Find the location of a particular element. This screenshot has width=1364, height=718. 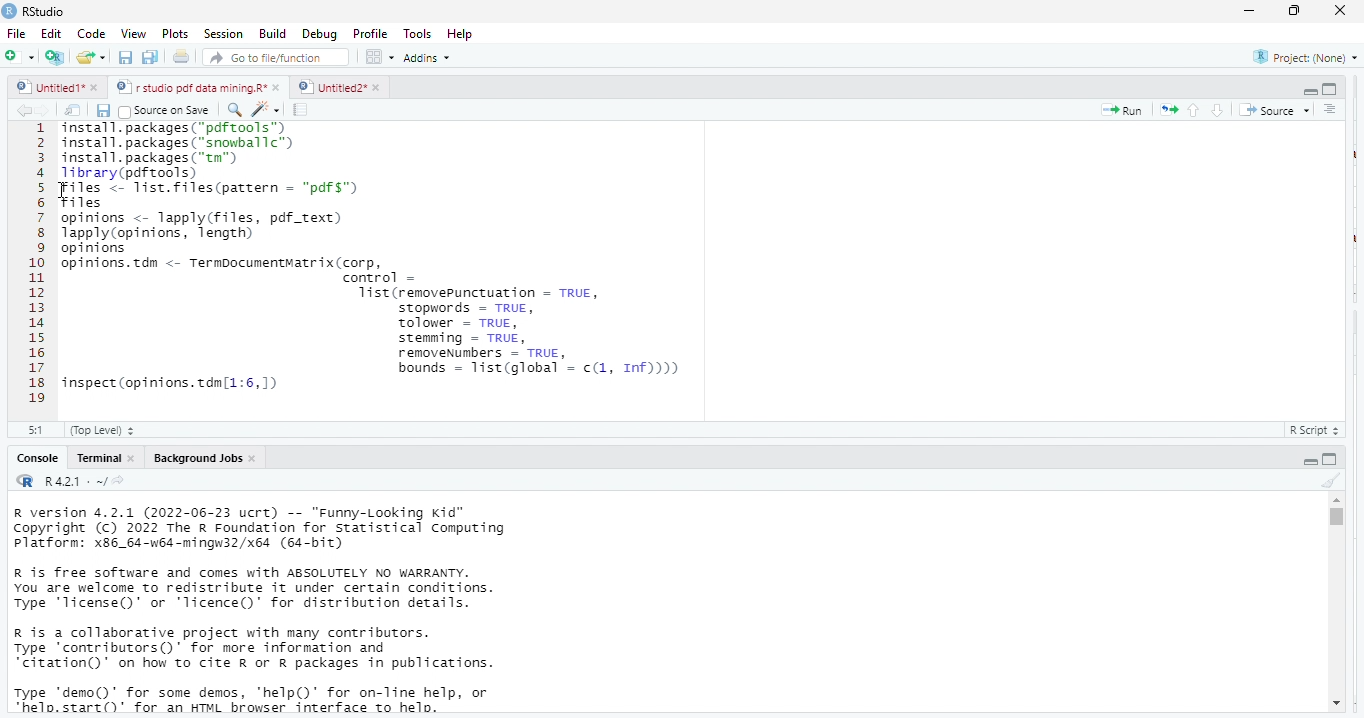

code tools is located at coordinates (265, 108).